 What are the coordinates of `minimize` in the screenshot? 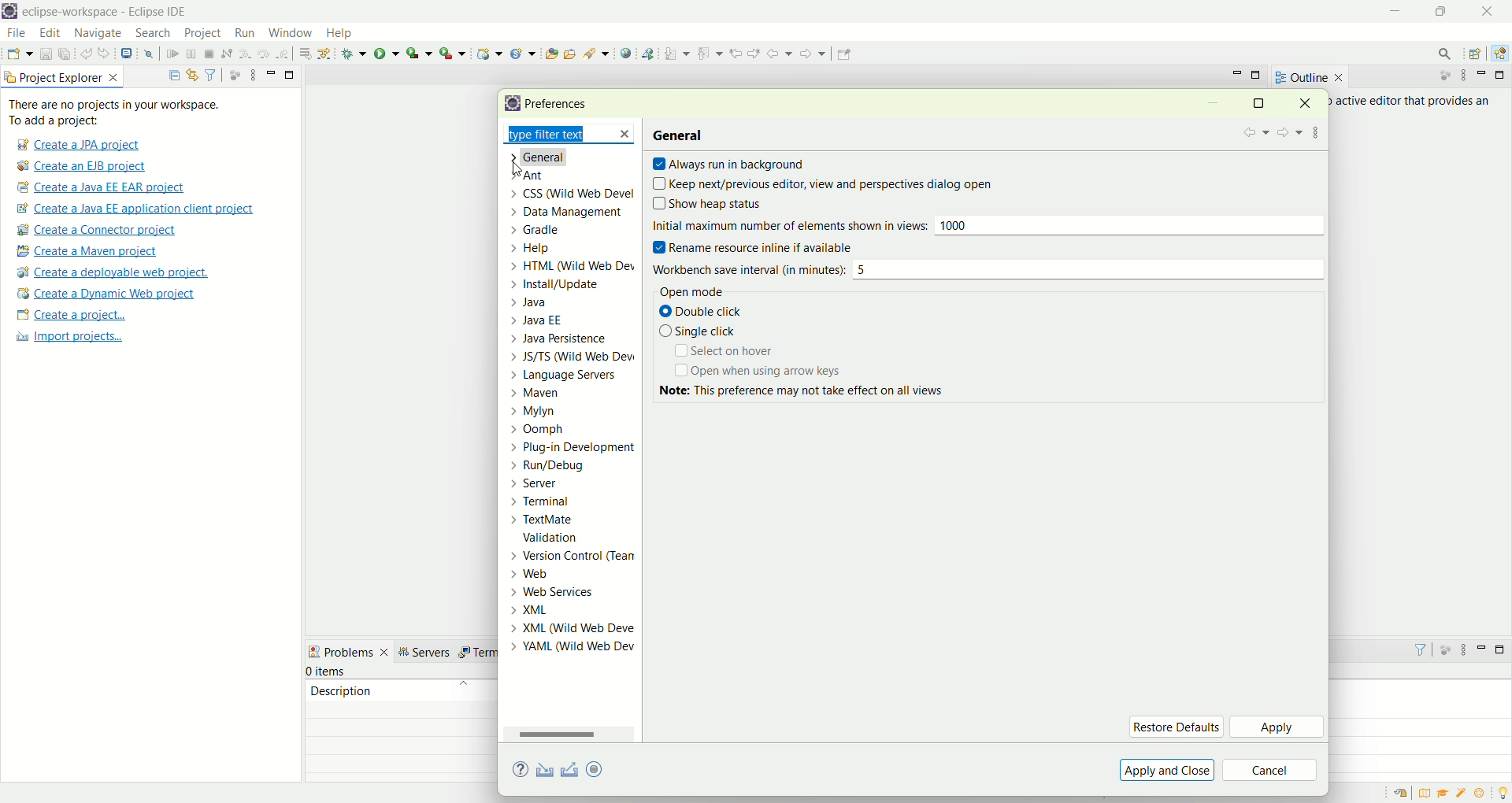 It's located at (1482, 647).